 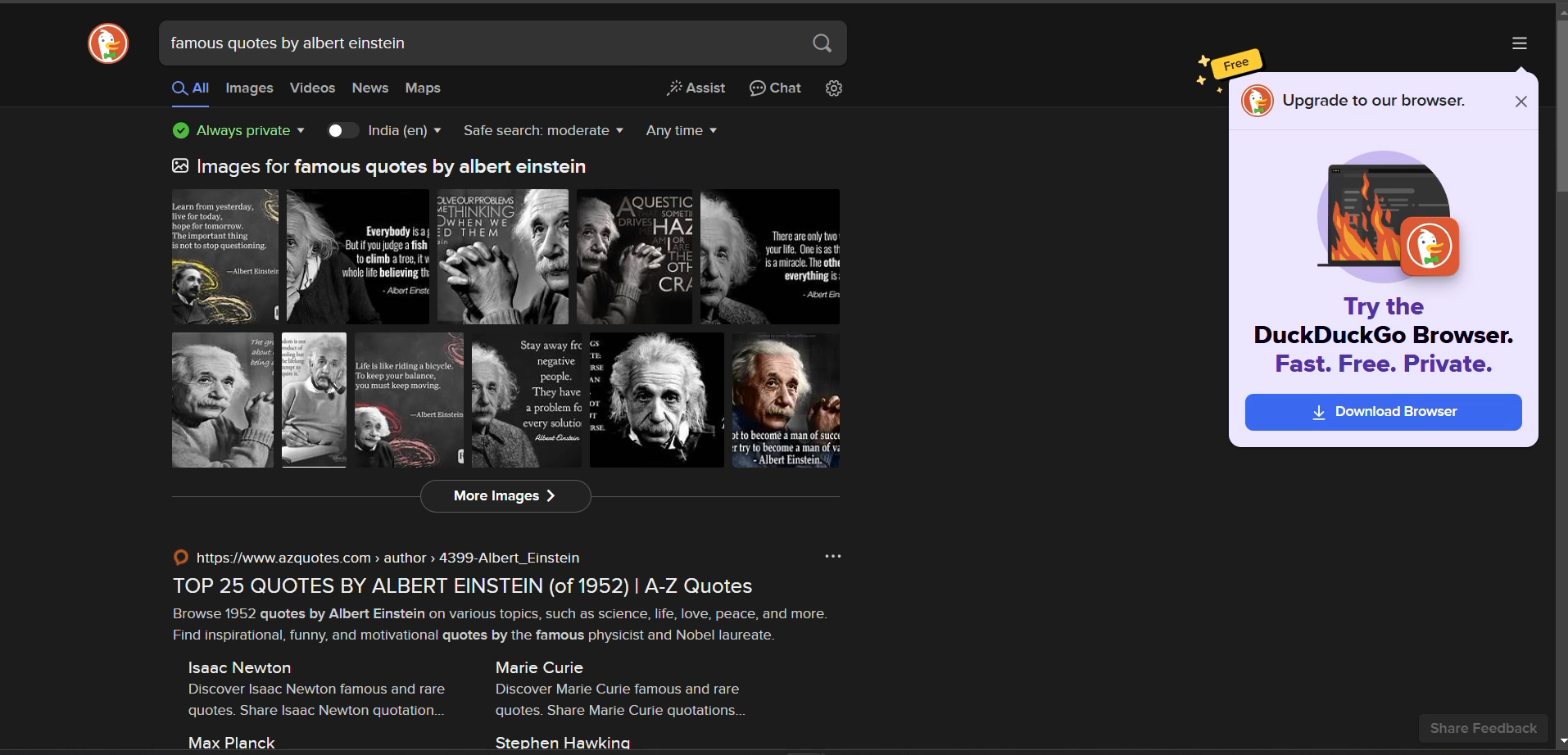 What do you see at coordinates (409, 131) in the screenshot?
I see `India(en)` at bounding box center [409, 131].